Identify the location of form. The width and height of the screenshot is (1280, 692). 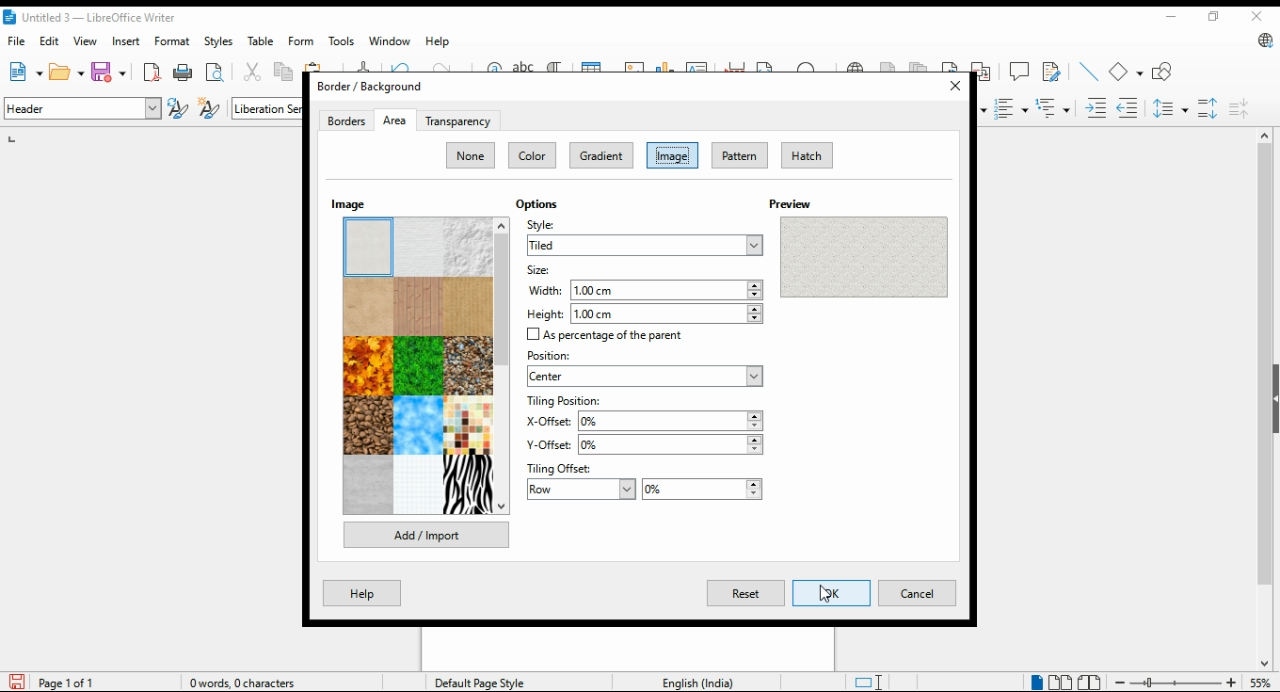
(300, 40).